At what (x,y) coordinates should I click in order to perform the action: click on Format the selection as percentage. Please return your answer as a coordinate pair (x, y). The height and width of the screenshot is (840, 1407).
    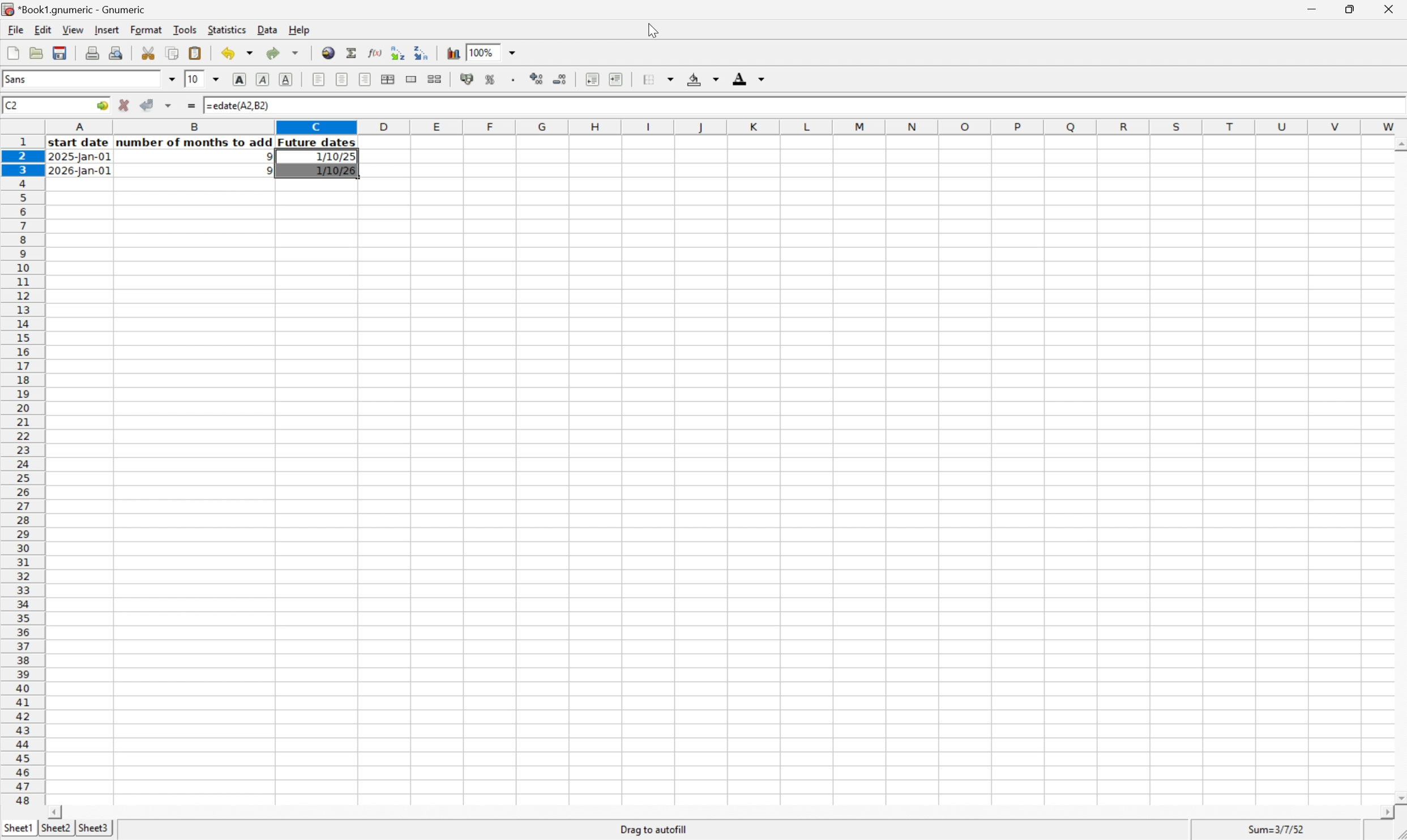
    Looking at the image, I should click on (491, 81).